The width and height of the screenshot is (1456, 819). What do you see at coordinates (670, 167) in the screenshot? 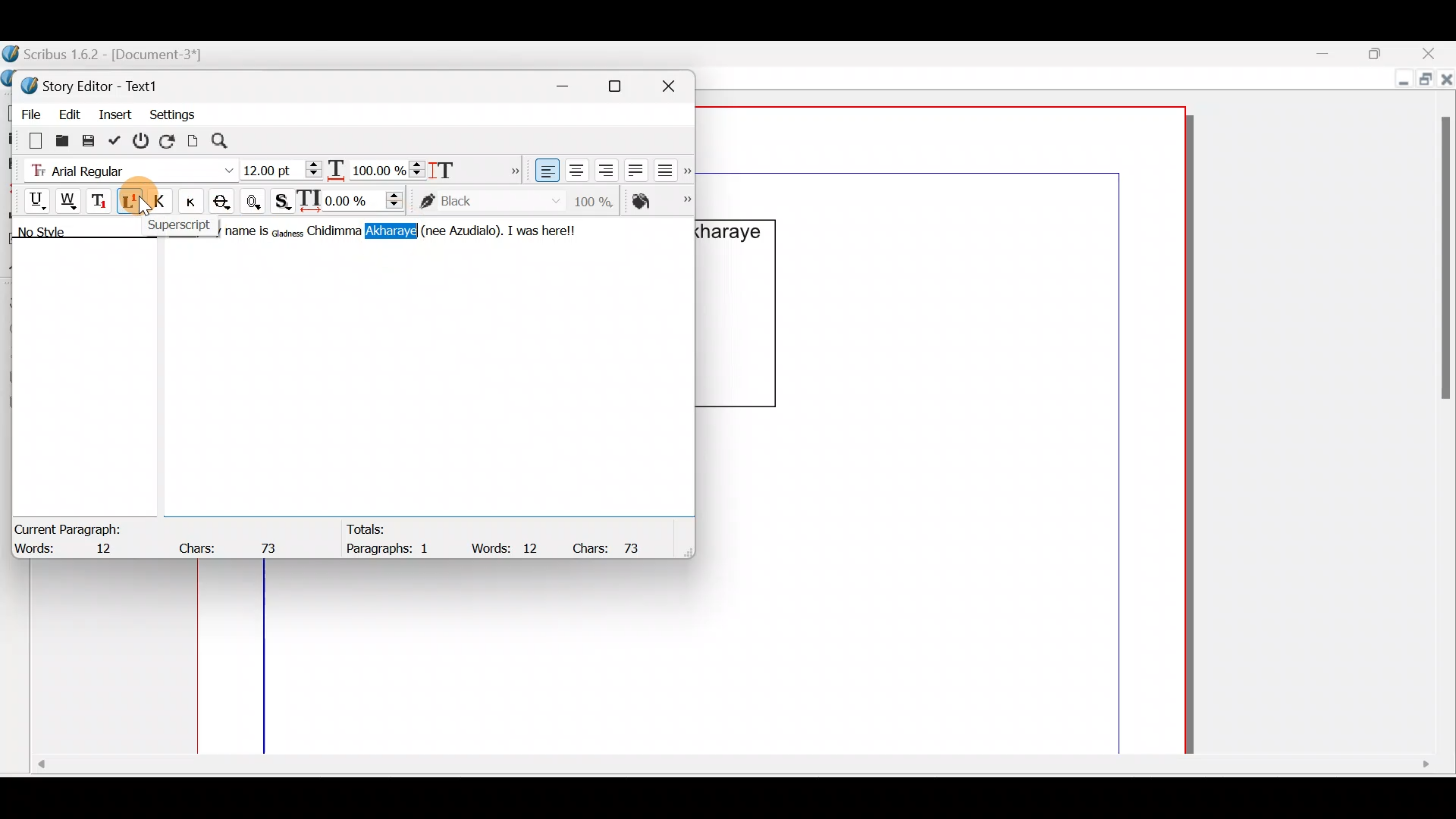
I see `Align text force justified` at bounding box center [670, 167].